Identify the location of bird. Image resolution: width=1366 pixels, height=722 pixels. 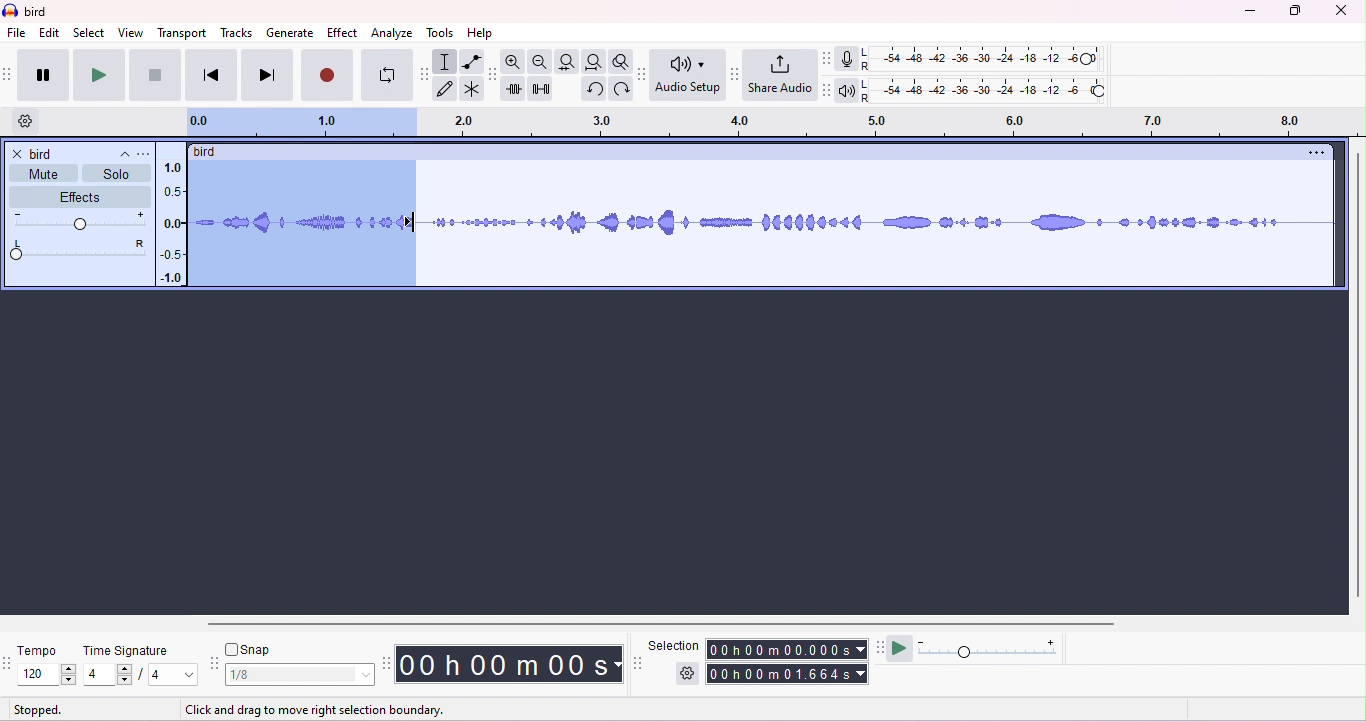
(38, 13).